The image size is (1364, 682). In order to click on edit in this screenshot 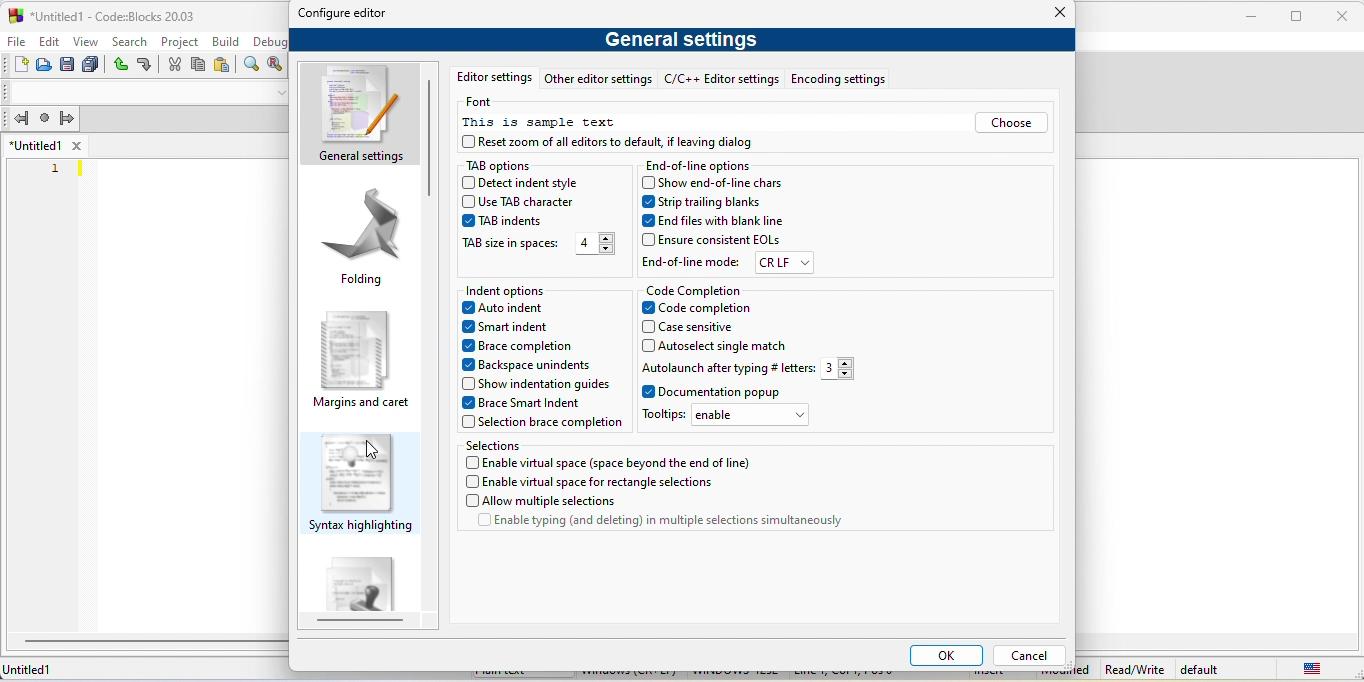, I will do `click(47, 41)`.